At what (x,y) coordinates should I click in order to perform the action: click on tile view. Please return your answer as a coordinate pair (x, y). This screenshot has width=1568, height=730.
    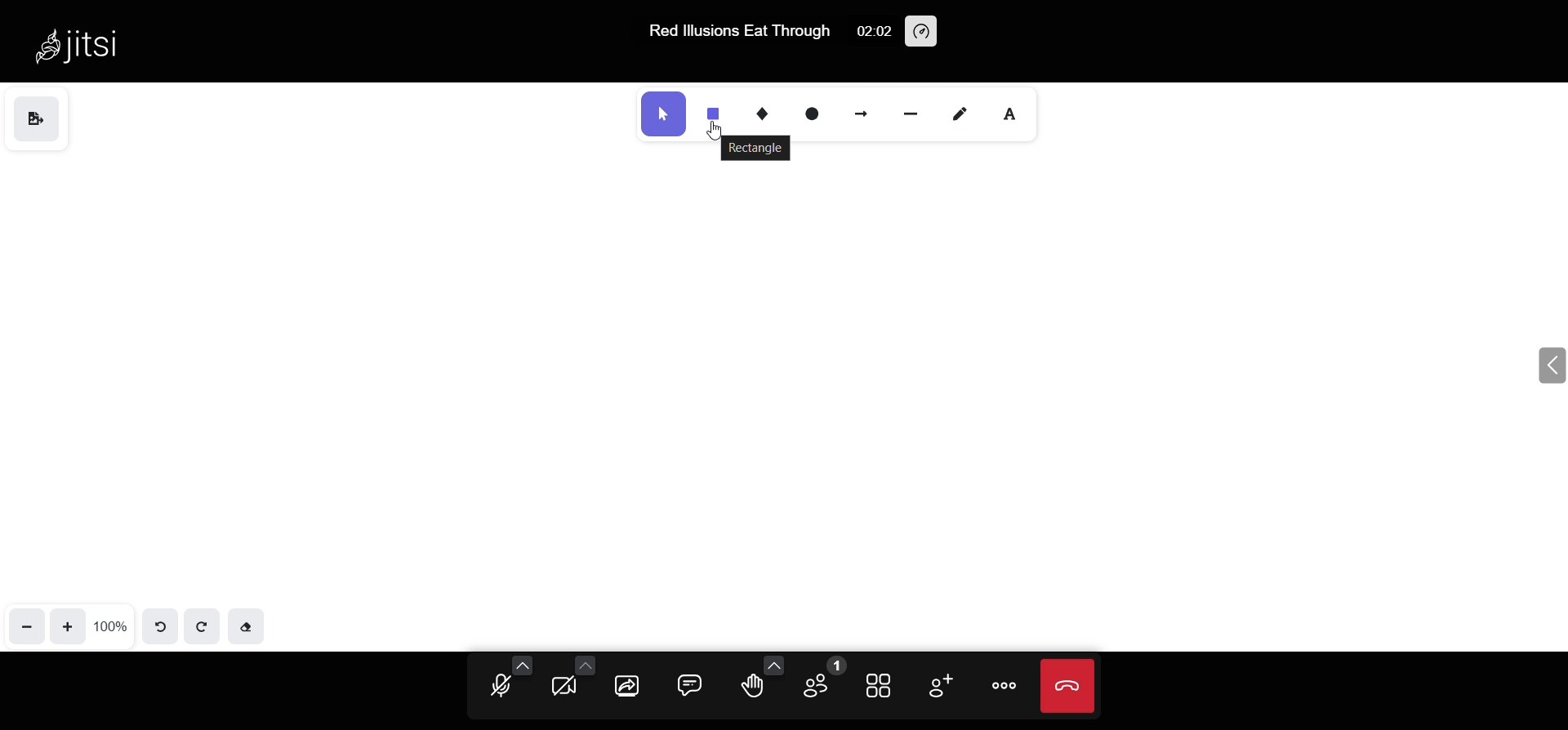
    Looking at the image, I should click on (881, 684).